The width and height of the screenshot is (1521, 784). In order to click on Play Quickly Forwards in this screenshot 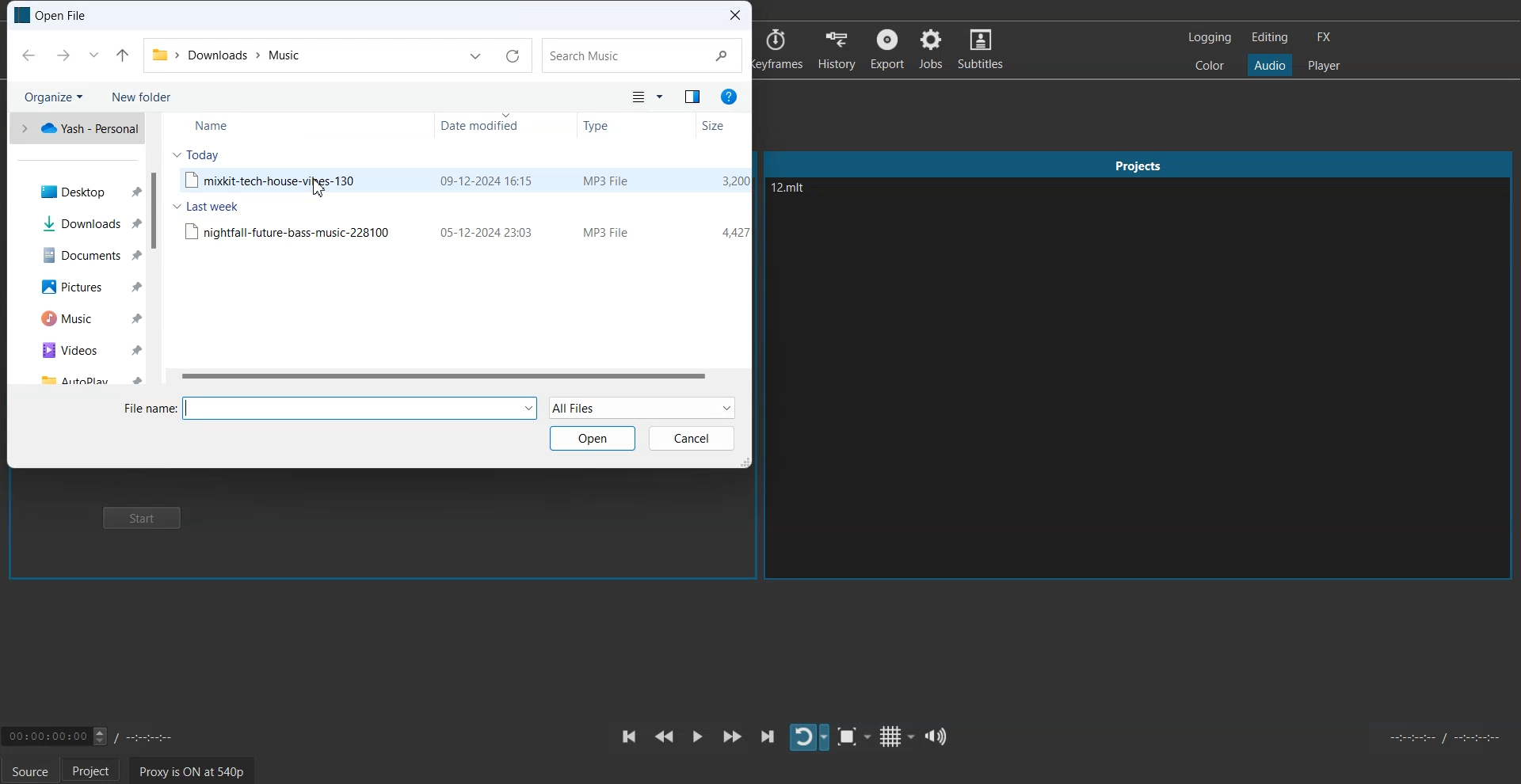, I will do `click(732, 736)`.